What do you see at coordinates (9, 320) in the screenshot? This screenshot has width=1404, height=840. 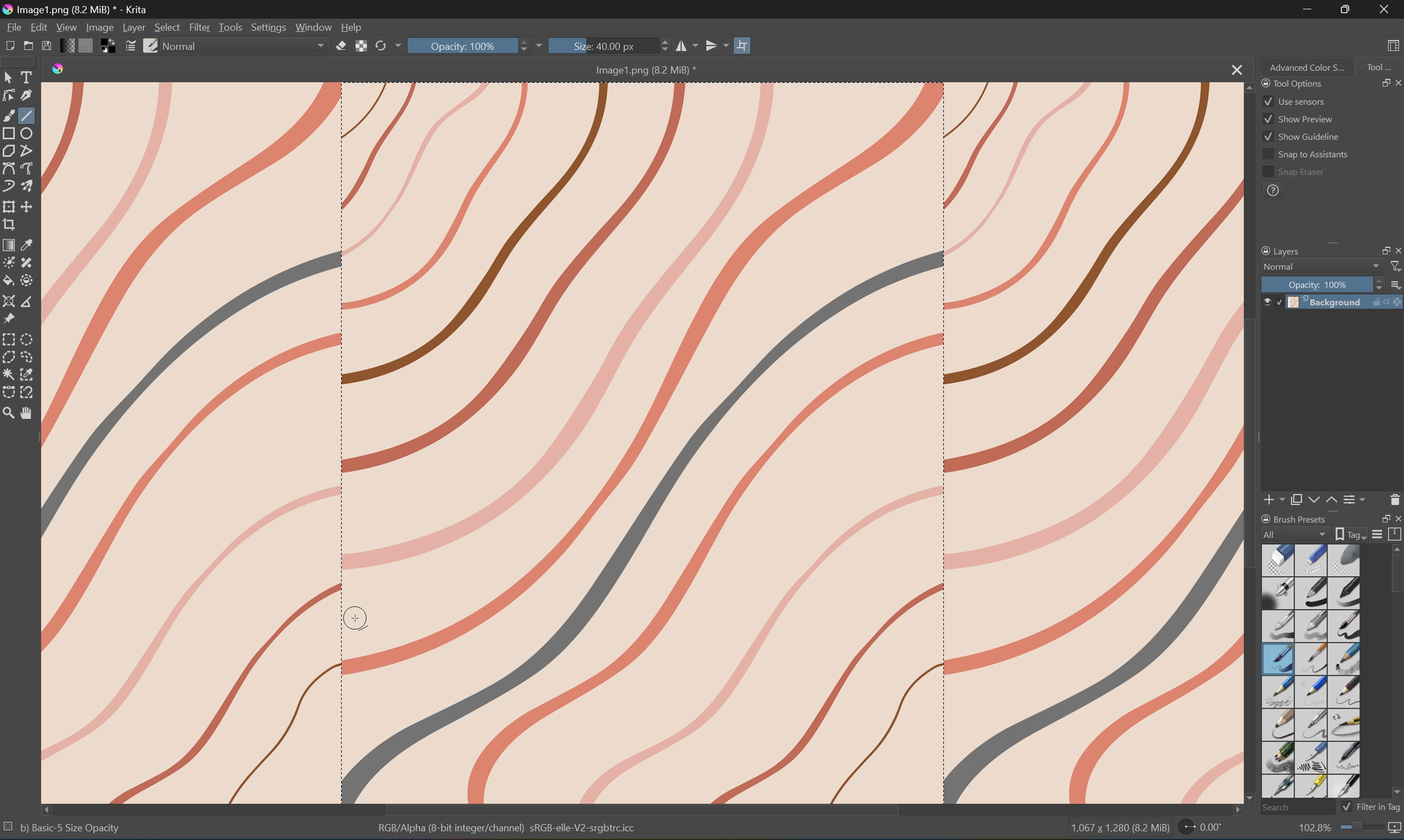 I see `Reference images tool` at bounding box center [9, 320].